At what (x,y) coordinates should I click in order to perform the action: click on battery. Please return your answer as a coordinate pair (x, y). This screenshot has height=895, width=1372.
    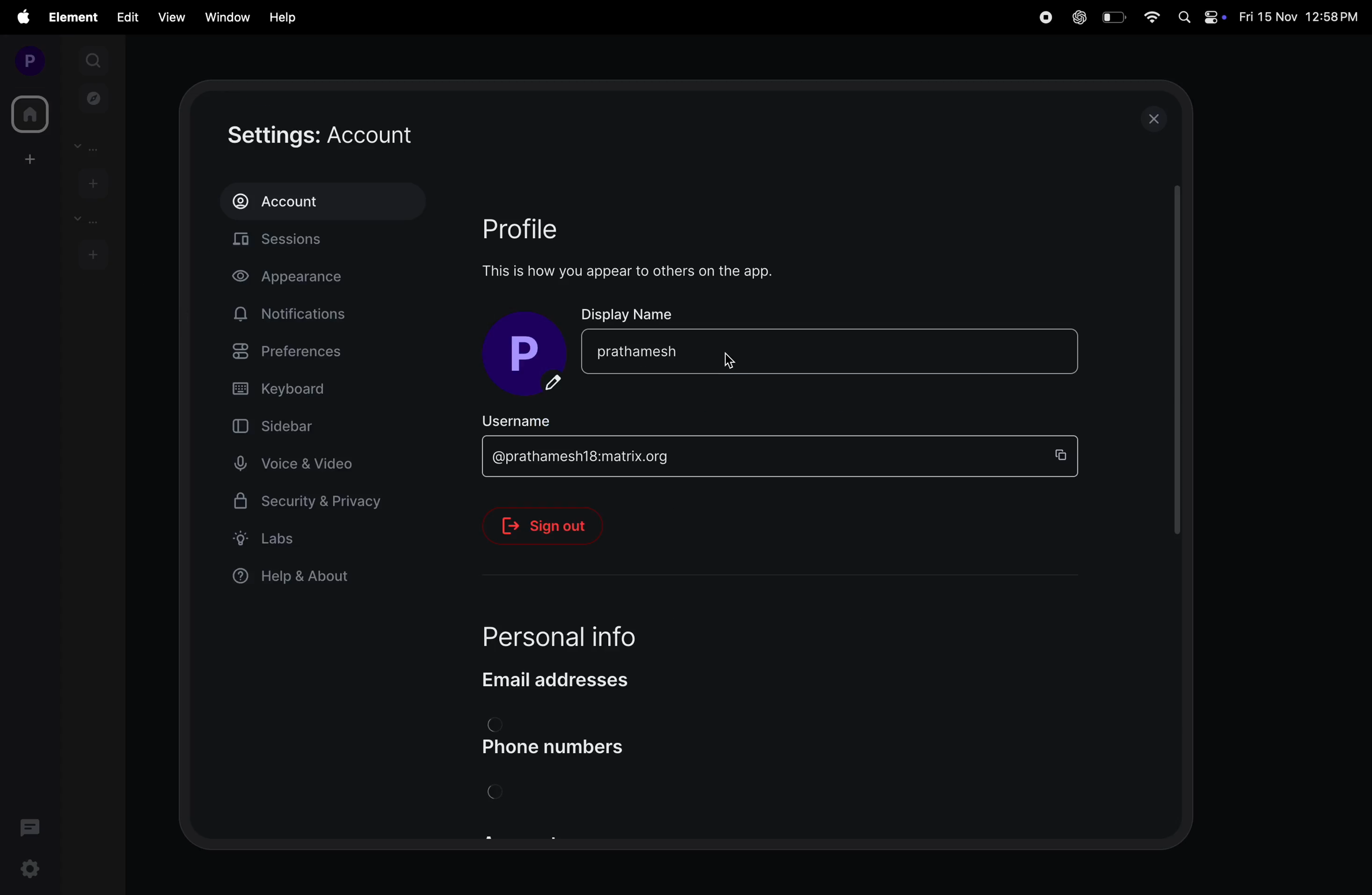
    Looking at the image, I should click on (1113, 17).